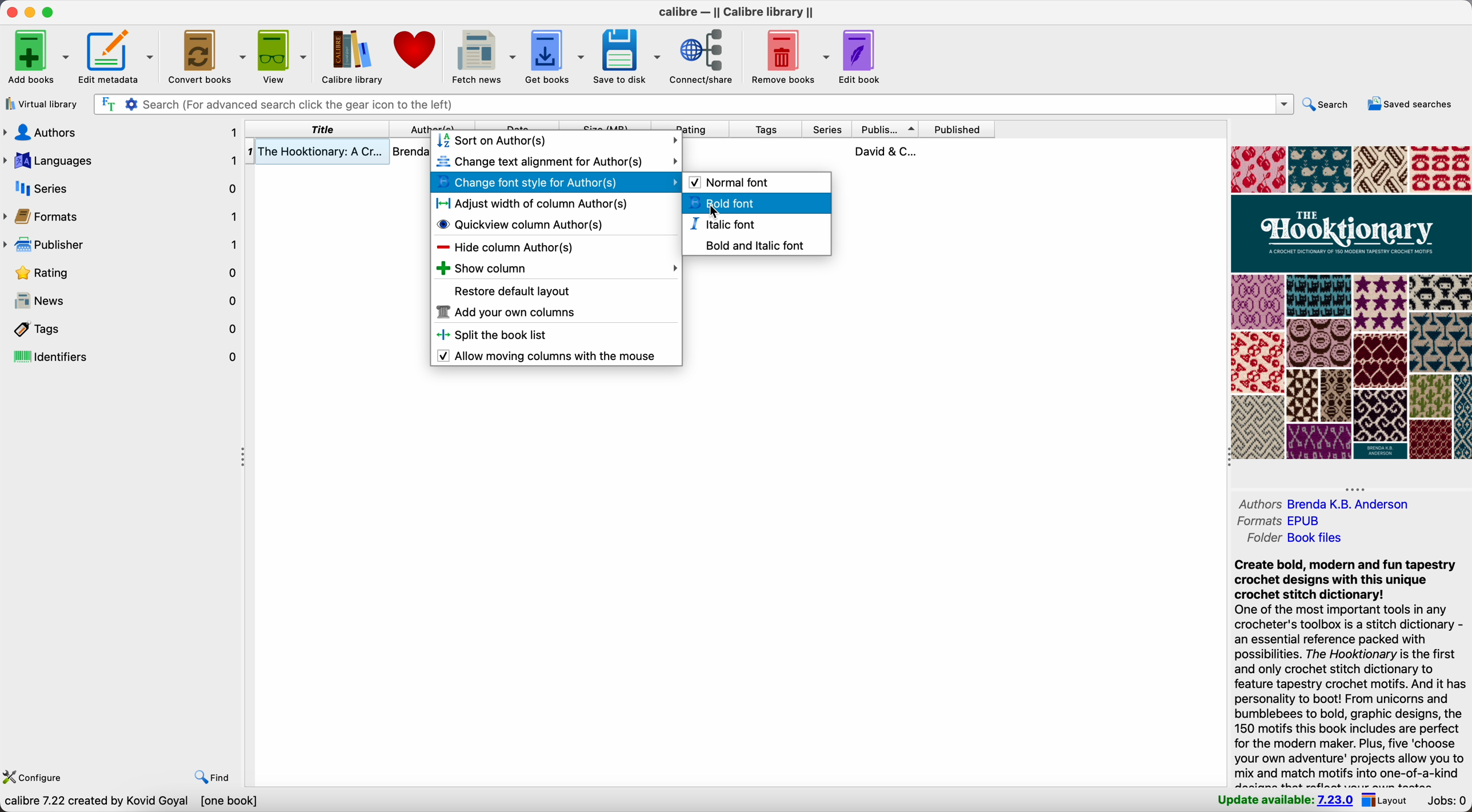 This screenshot has width=1472, height=812. Describe the element at coordinates (741, 13) in the screenshot. I see `Calibre` at that location.